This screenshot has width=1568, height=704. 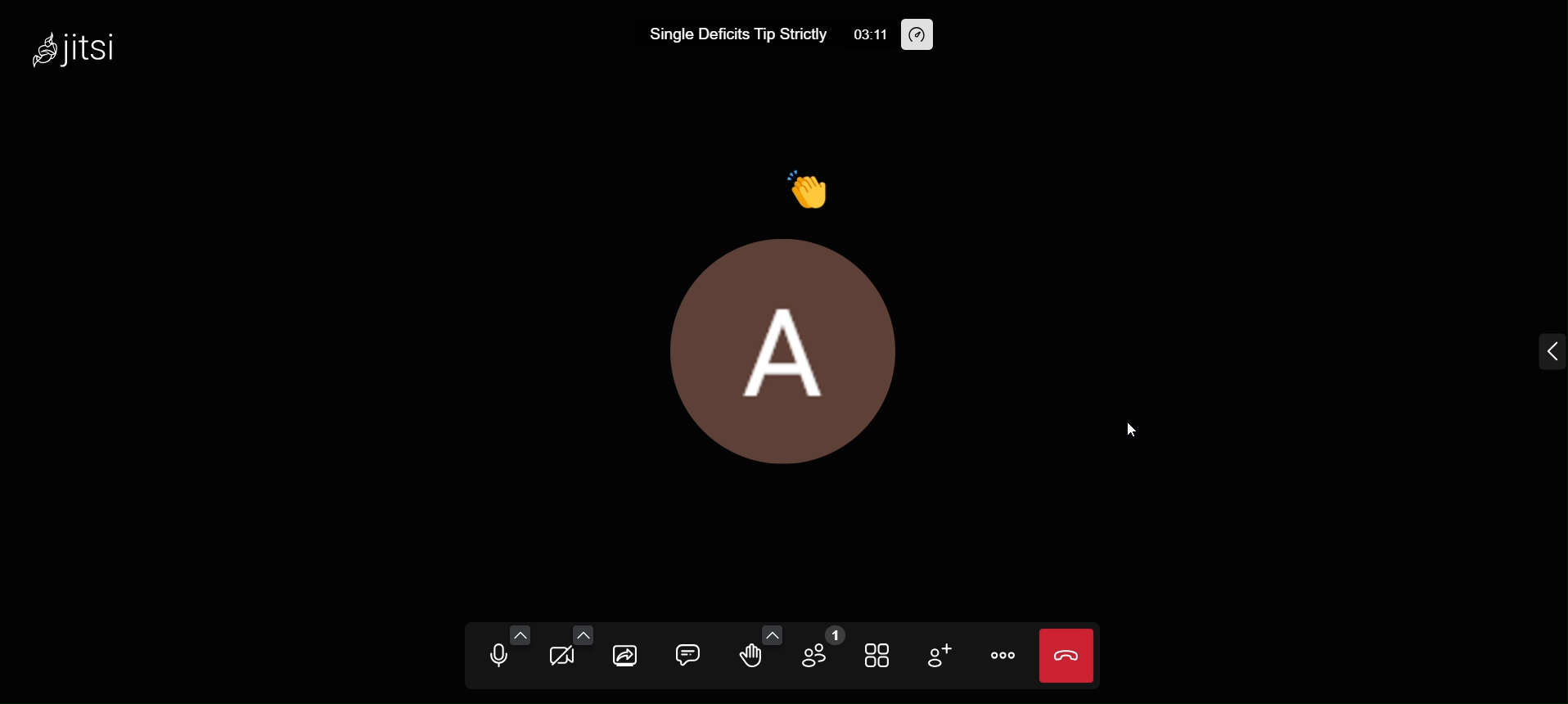 I want to click on jitsi, so click(x=95, y=49).